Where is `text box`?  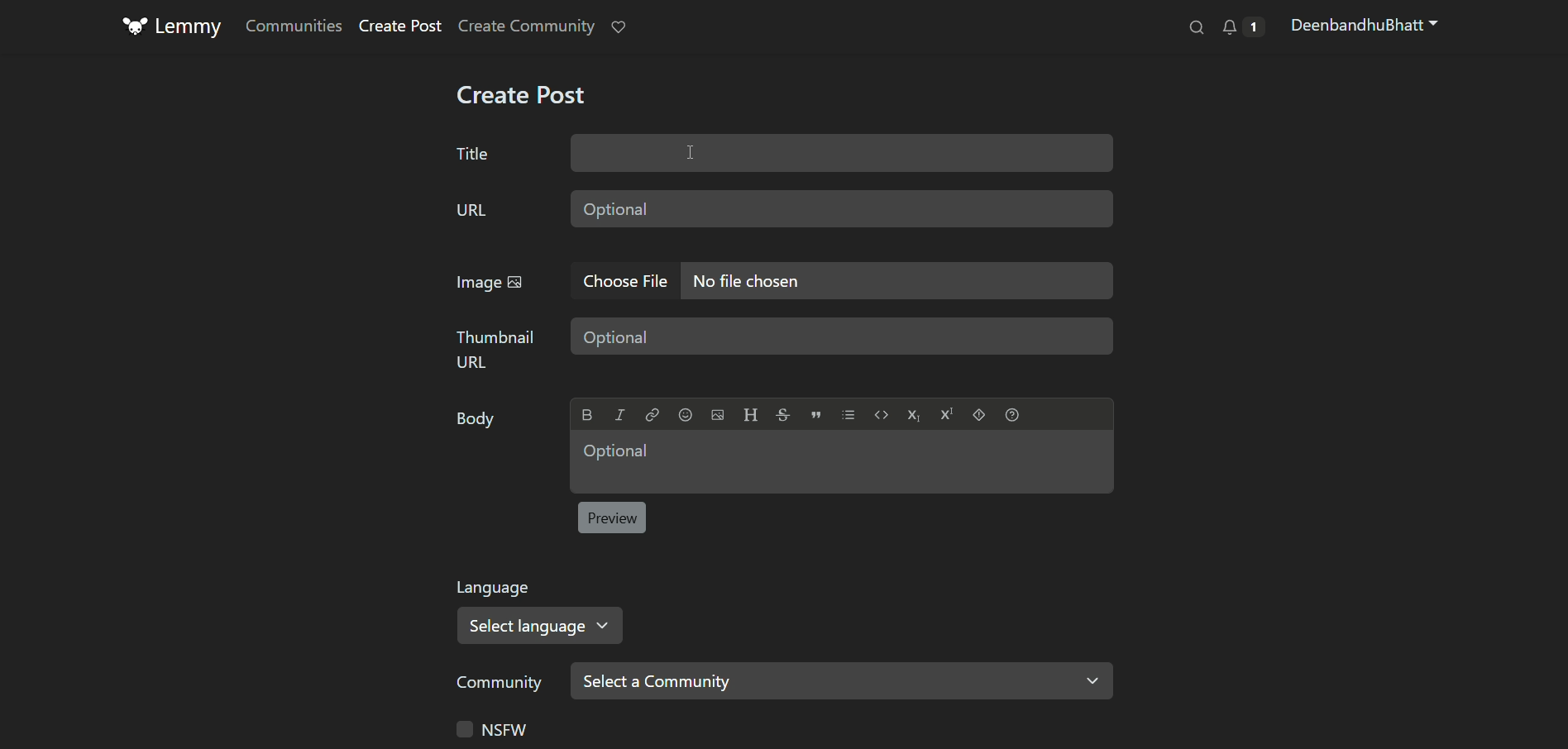 text box is located at coordinates (842, 208).